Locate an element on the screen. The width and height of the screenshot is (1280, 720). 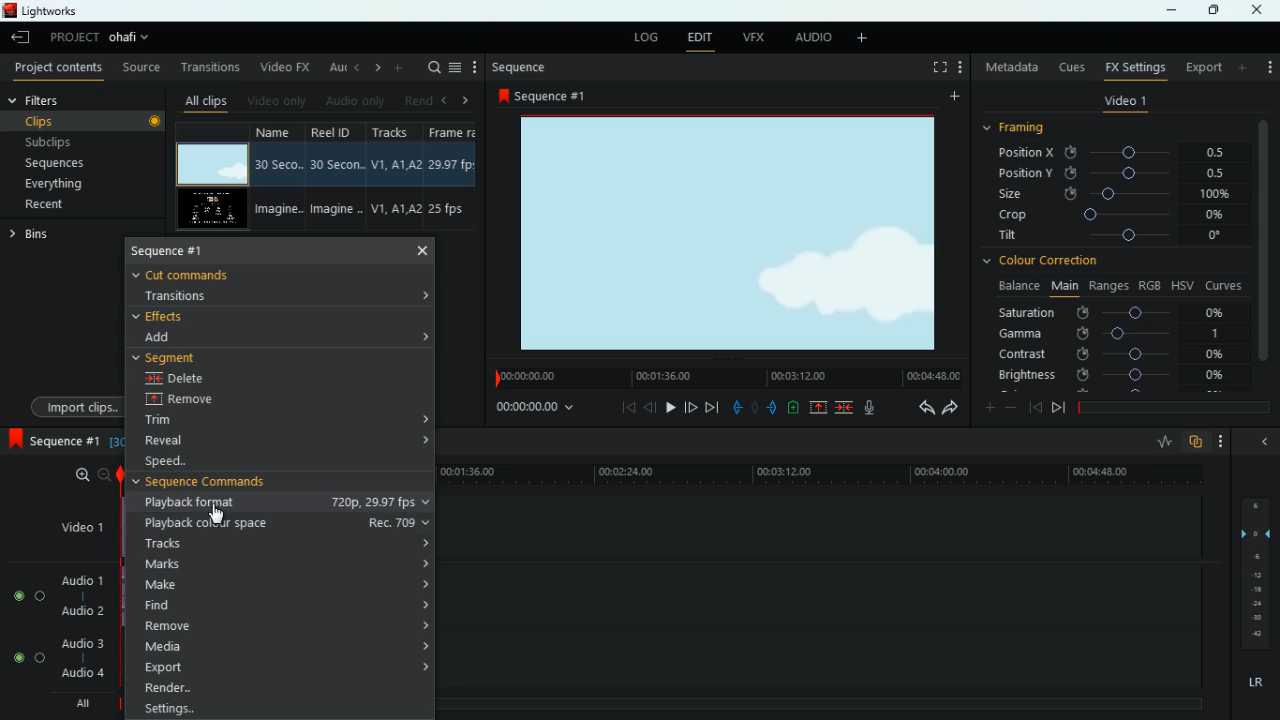
contrast is located at coordinates (1110, 355).